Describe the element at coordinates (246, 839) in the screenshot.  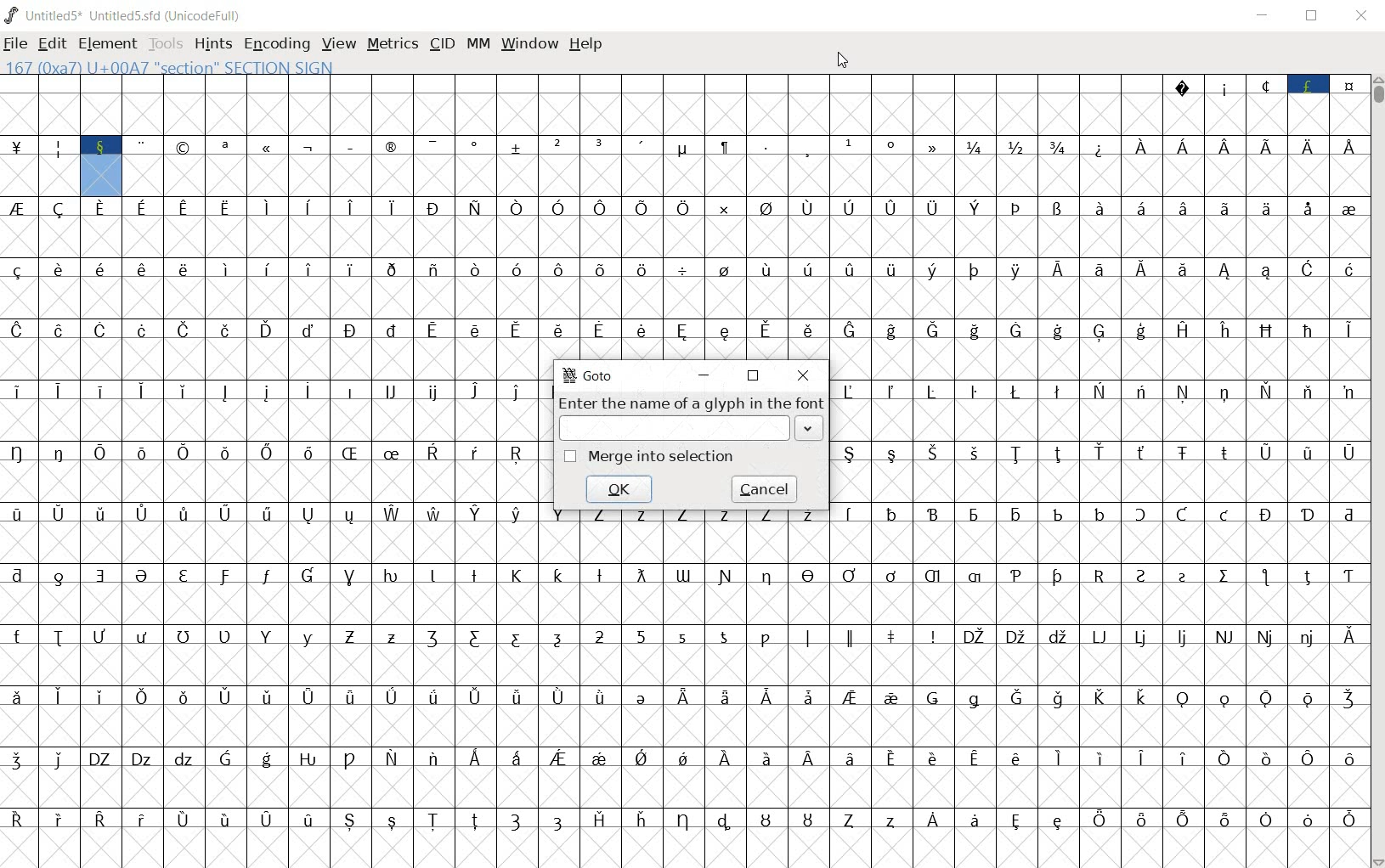
I see `Latin extended characters` at that location.